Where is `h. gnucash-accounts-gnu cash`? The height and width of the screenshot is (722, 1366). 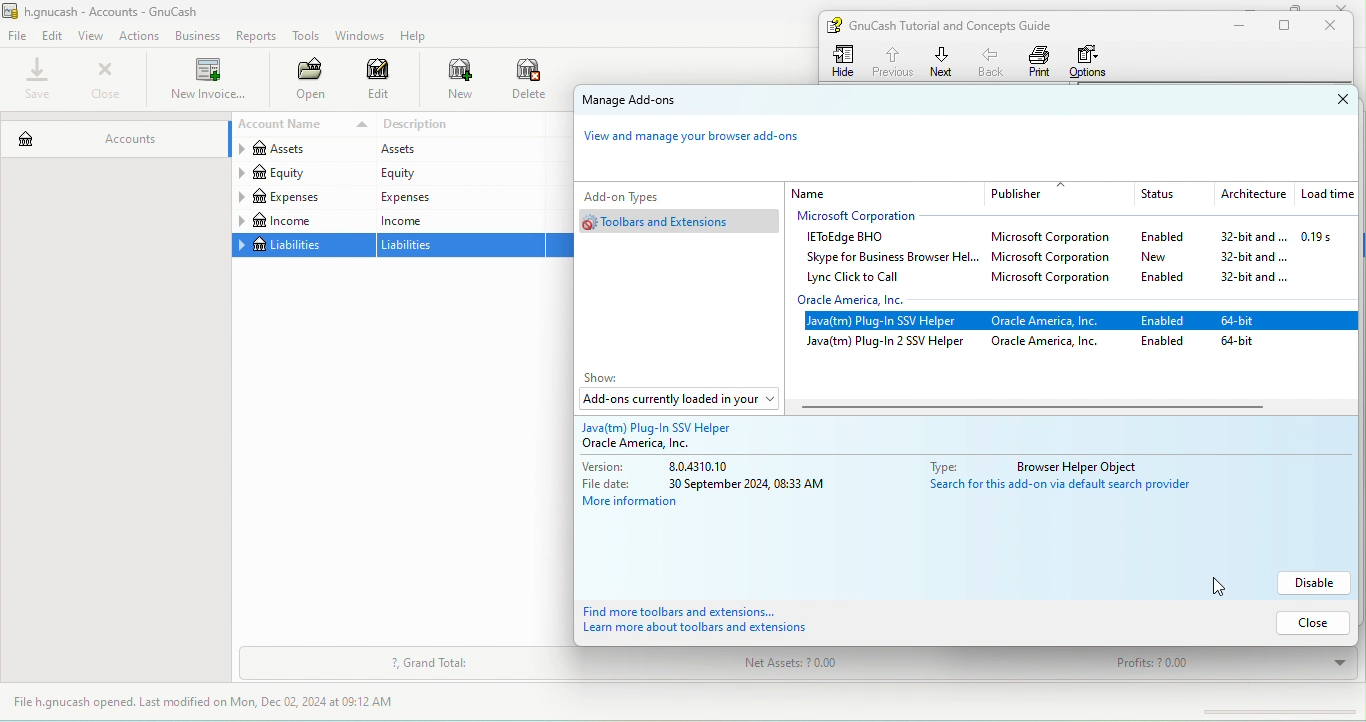 h. gnucash-accounts-gnu cash is located at coordinates (125, 10).